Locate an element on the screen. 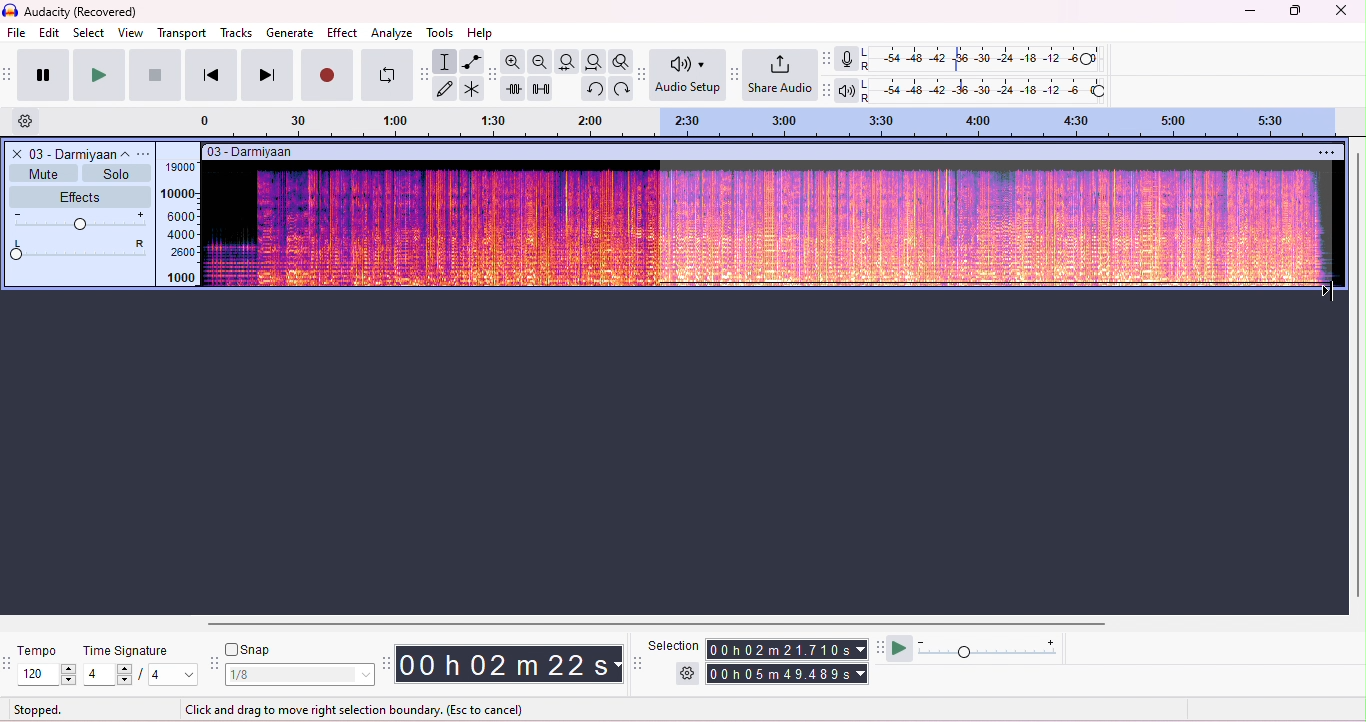 The height and width of the screenshot is (722, 1366). time is located at coordinates (508, 663).